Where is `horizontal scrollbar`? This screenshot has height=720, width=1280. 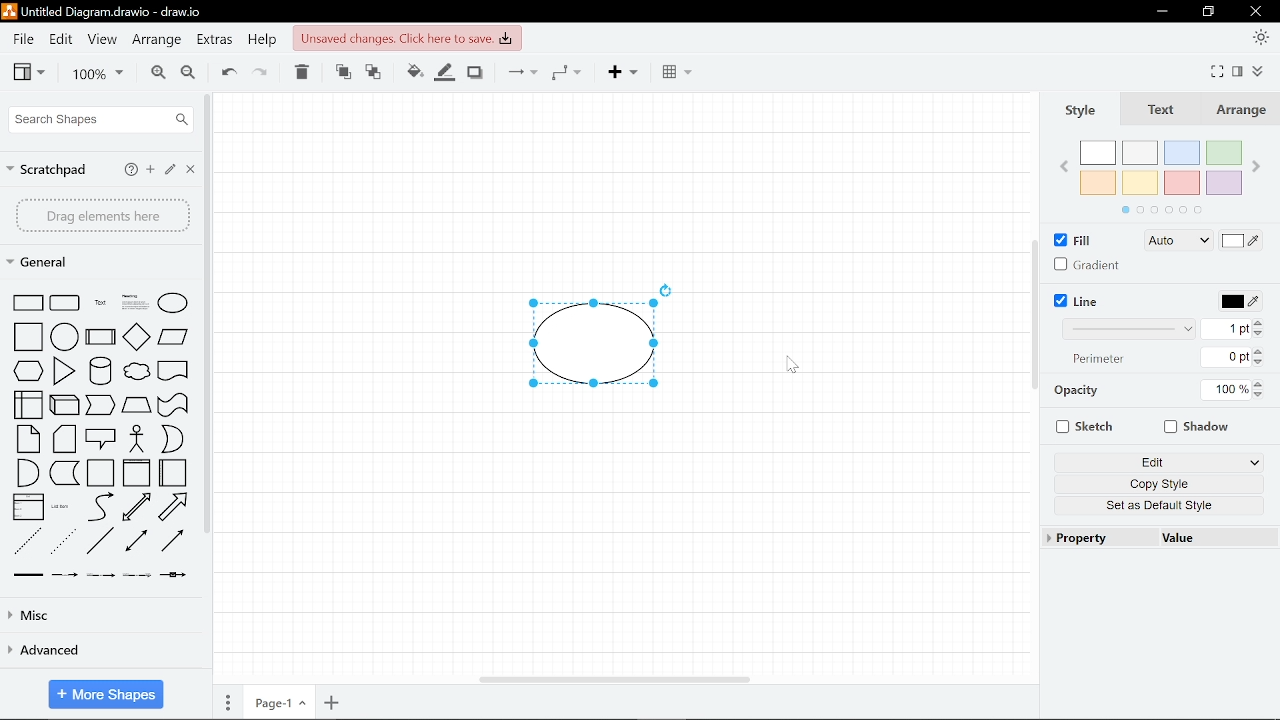 horizontal scrollbar is located at coordinates (610, 679).